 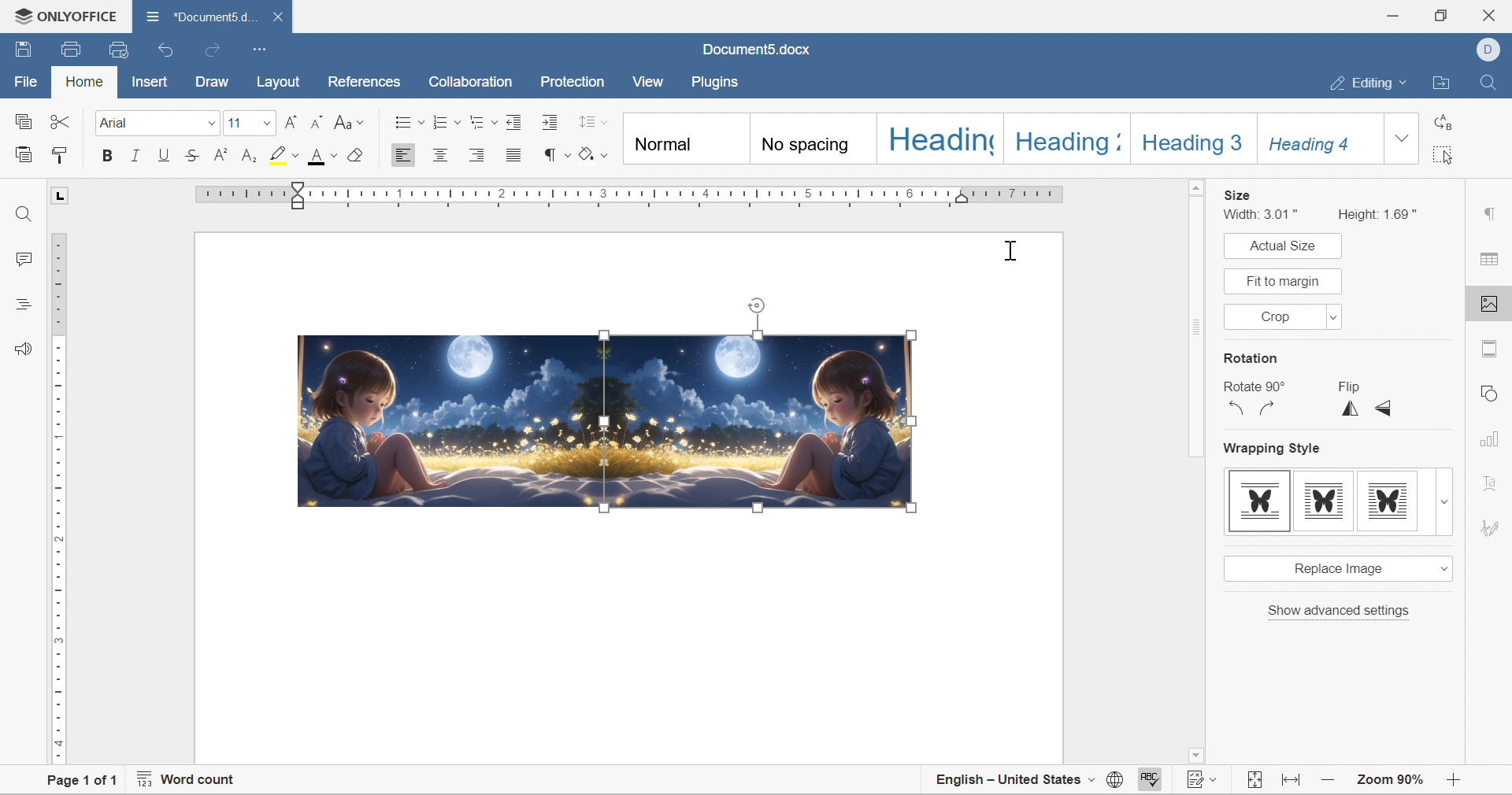 I want to click on track changes, so click(x=1204, y=775).